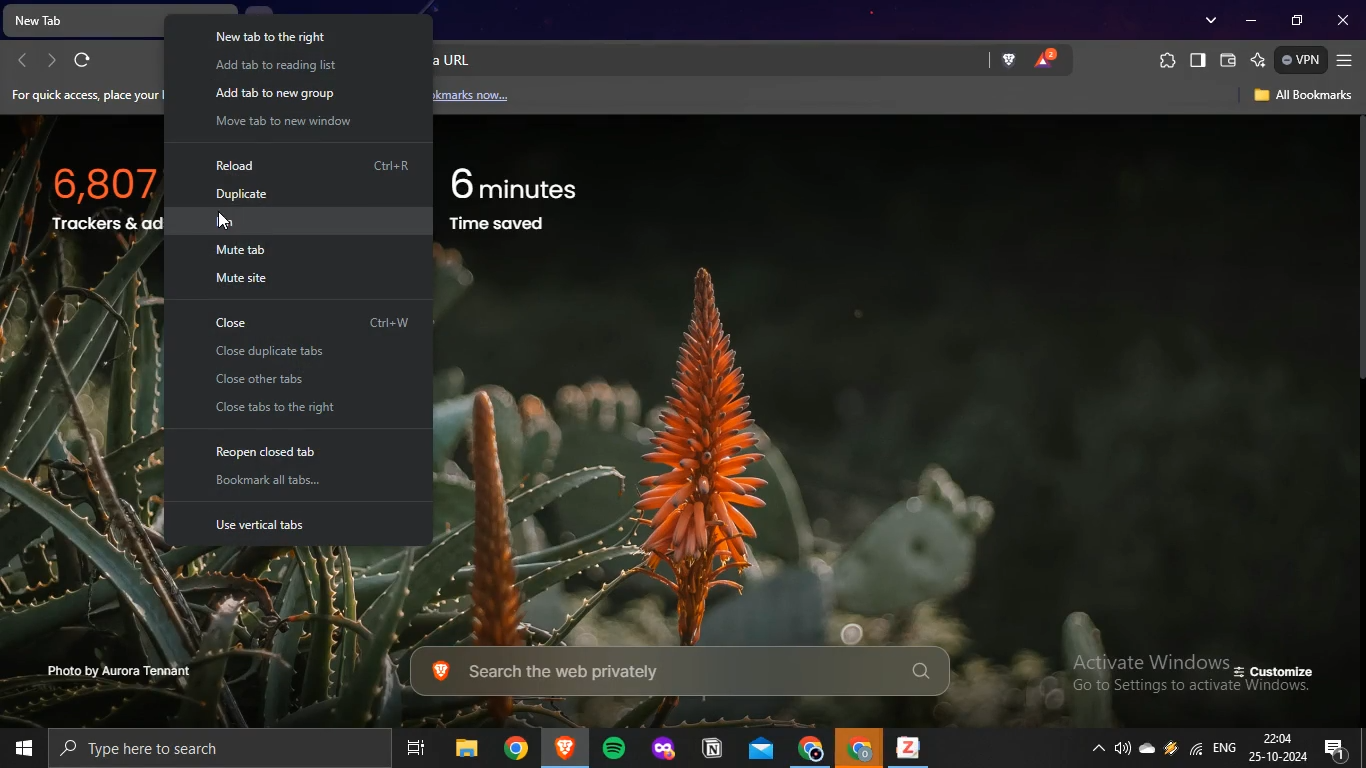 The width and height of the screenshot is (1366, 768). I want to click on reload, so click(247, 163).